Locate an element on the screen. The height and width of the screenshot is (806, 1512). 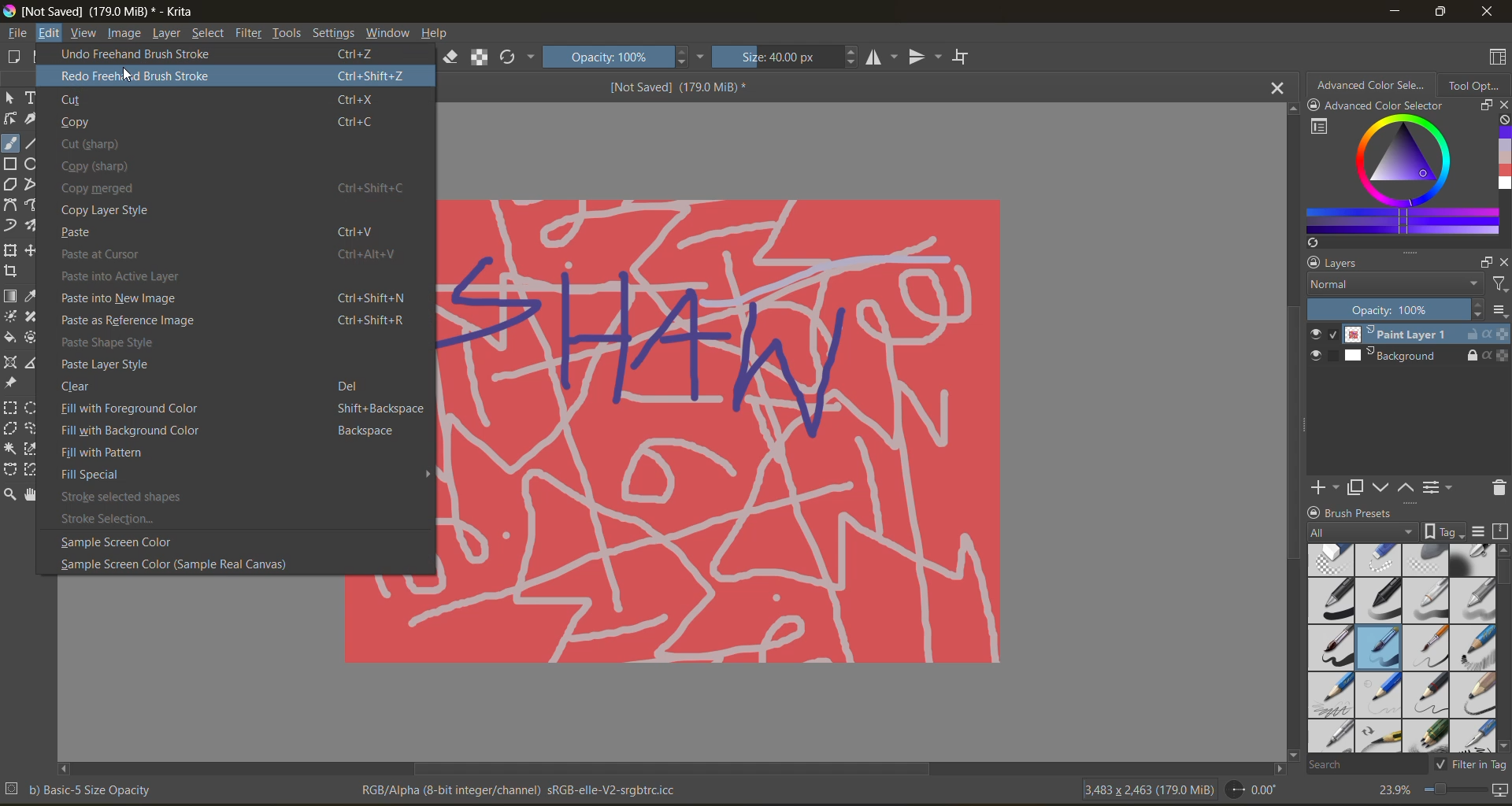
Advanced color selector is located at coordinates (1388, 106).